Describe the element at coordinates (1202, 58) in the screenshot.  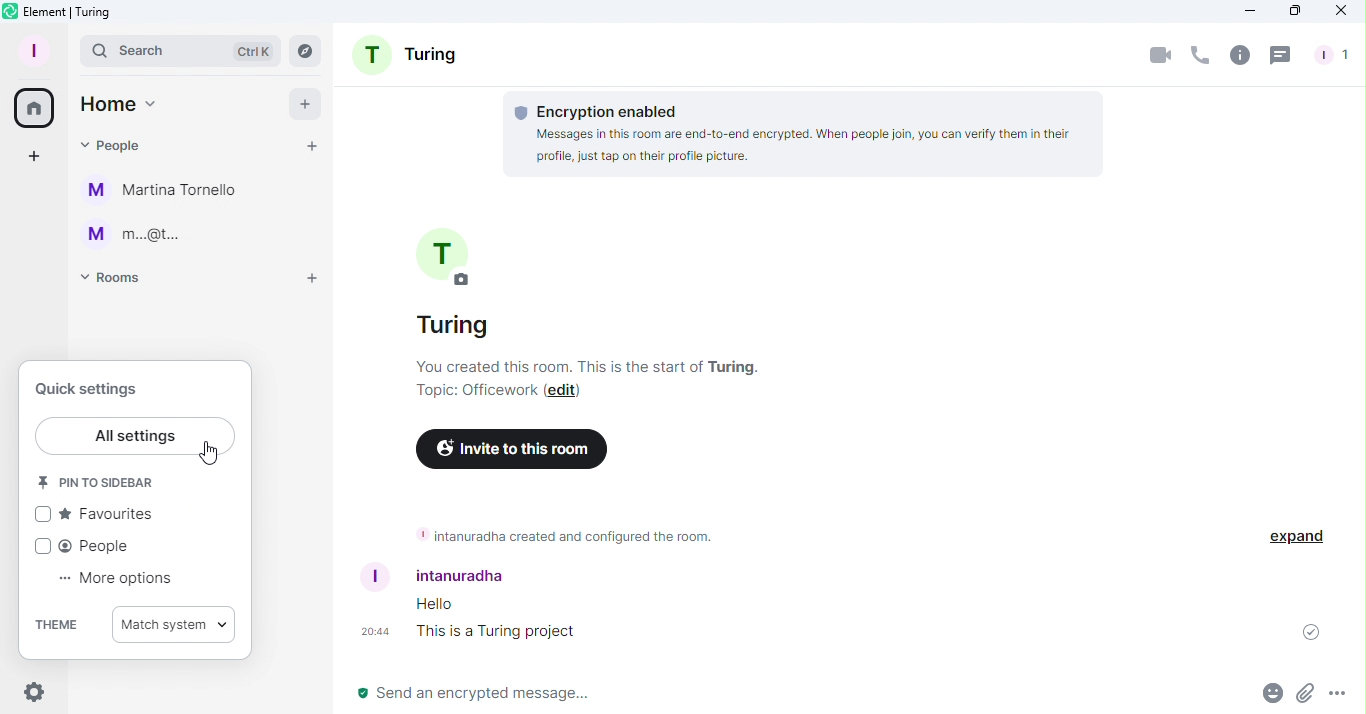
I see `Call` at that location.